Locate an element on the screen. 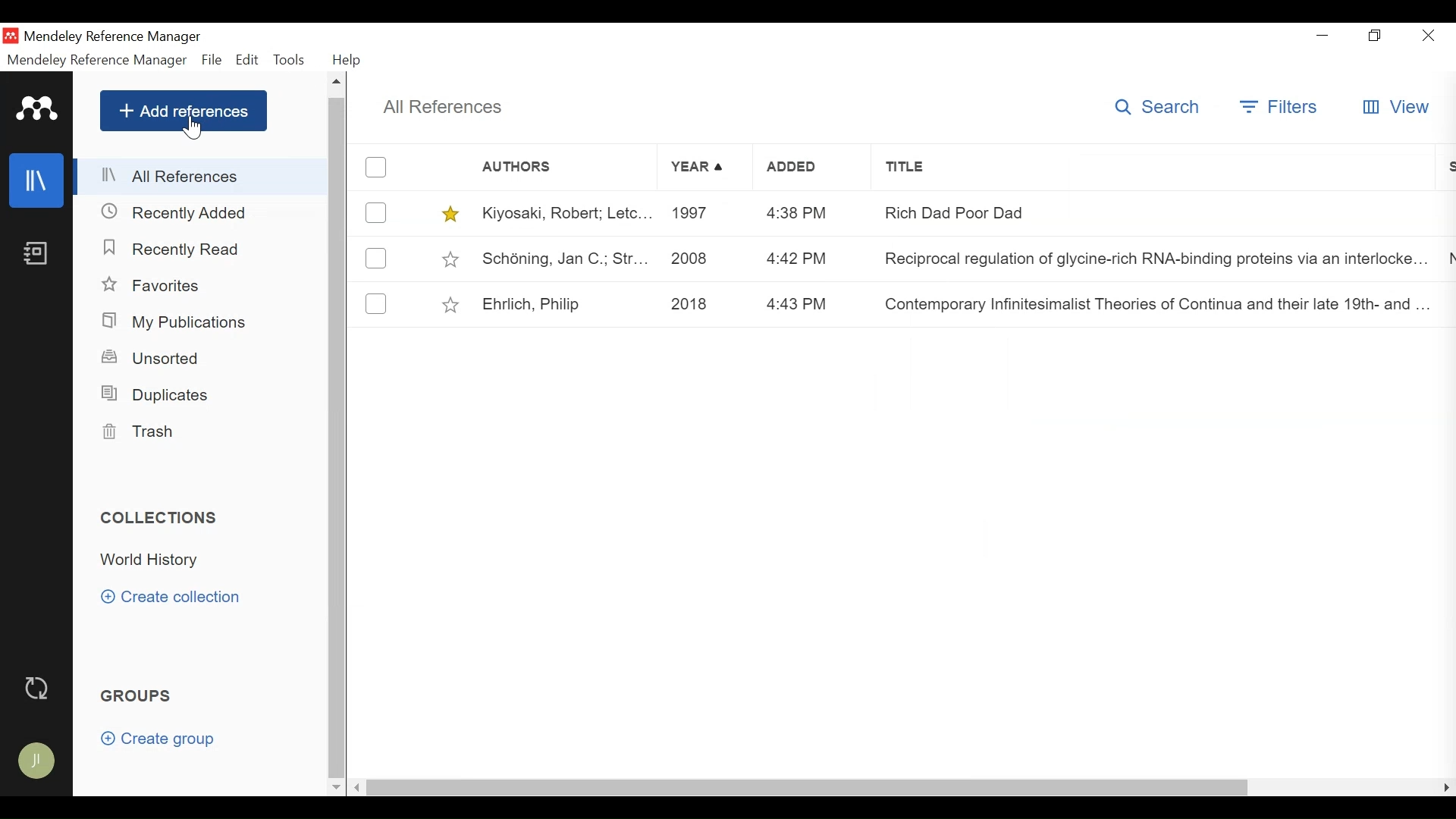 The height and width of the screenshot is (819, 1456). File is located at coordinates (212, 60).